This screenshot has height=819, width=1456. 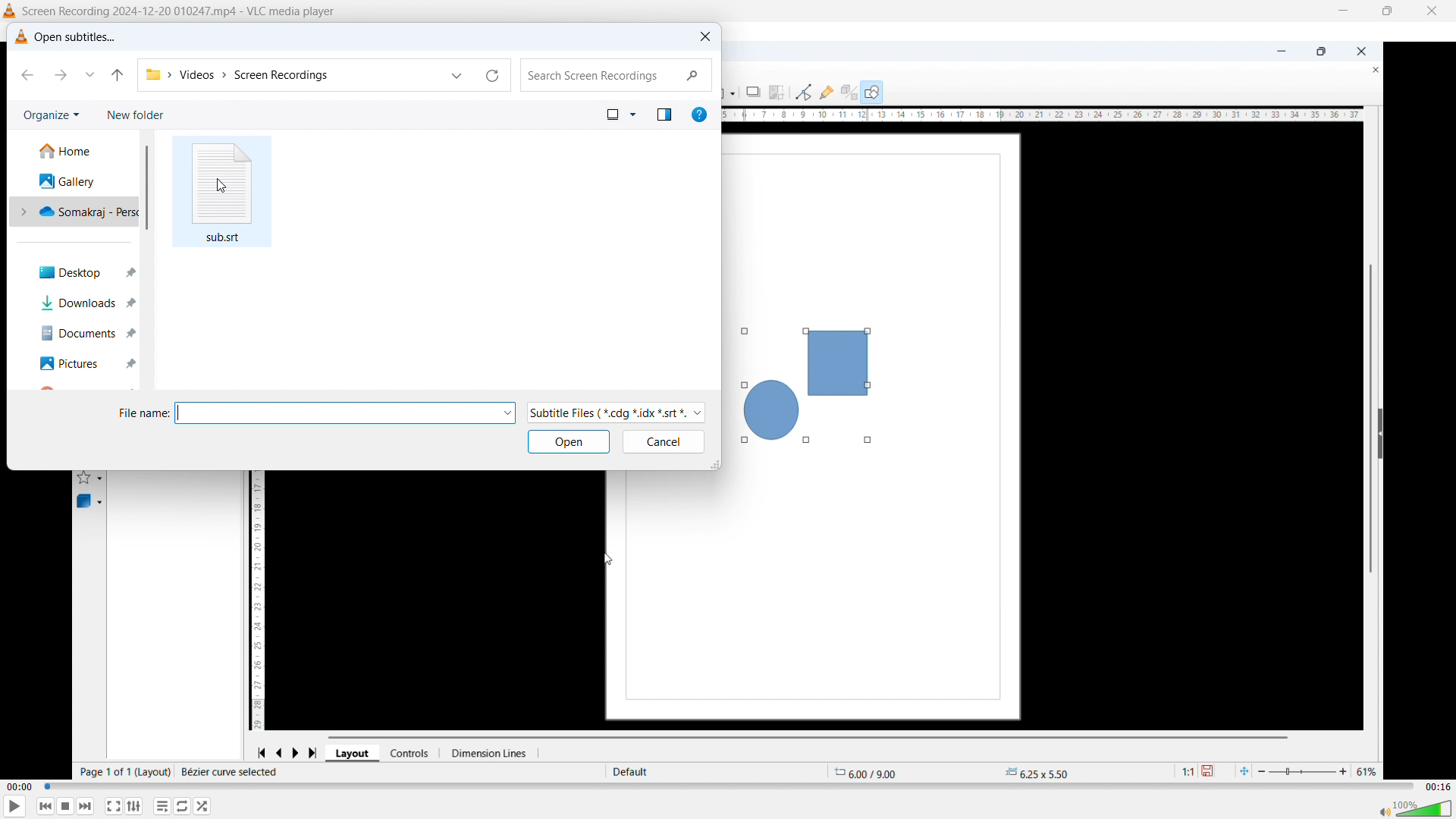 I want to click on Help , so click(x=699, y=114).